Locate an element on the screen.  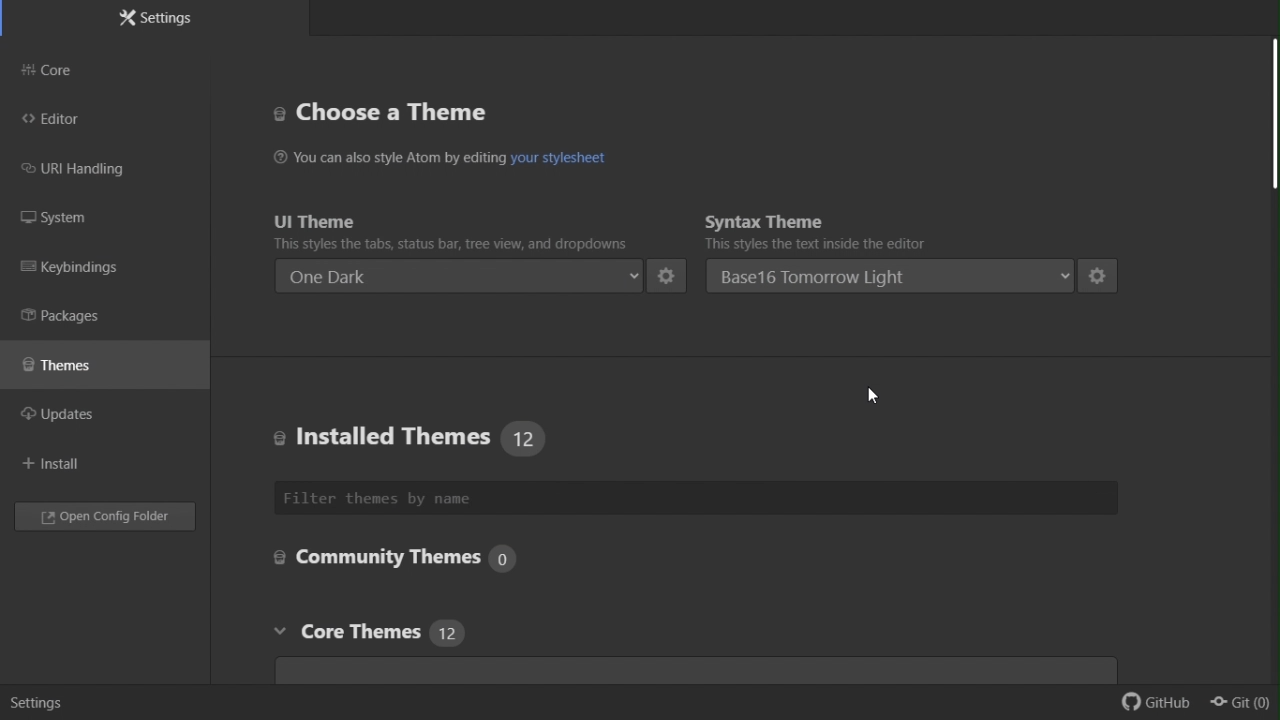
packages is located at coordinates (83, 315).